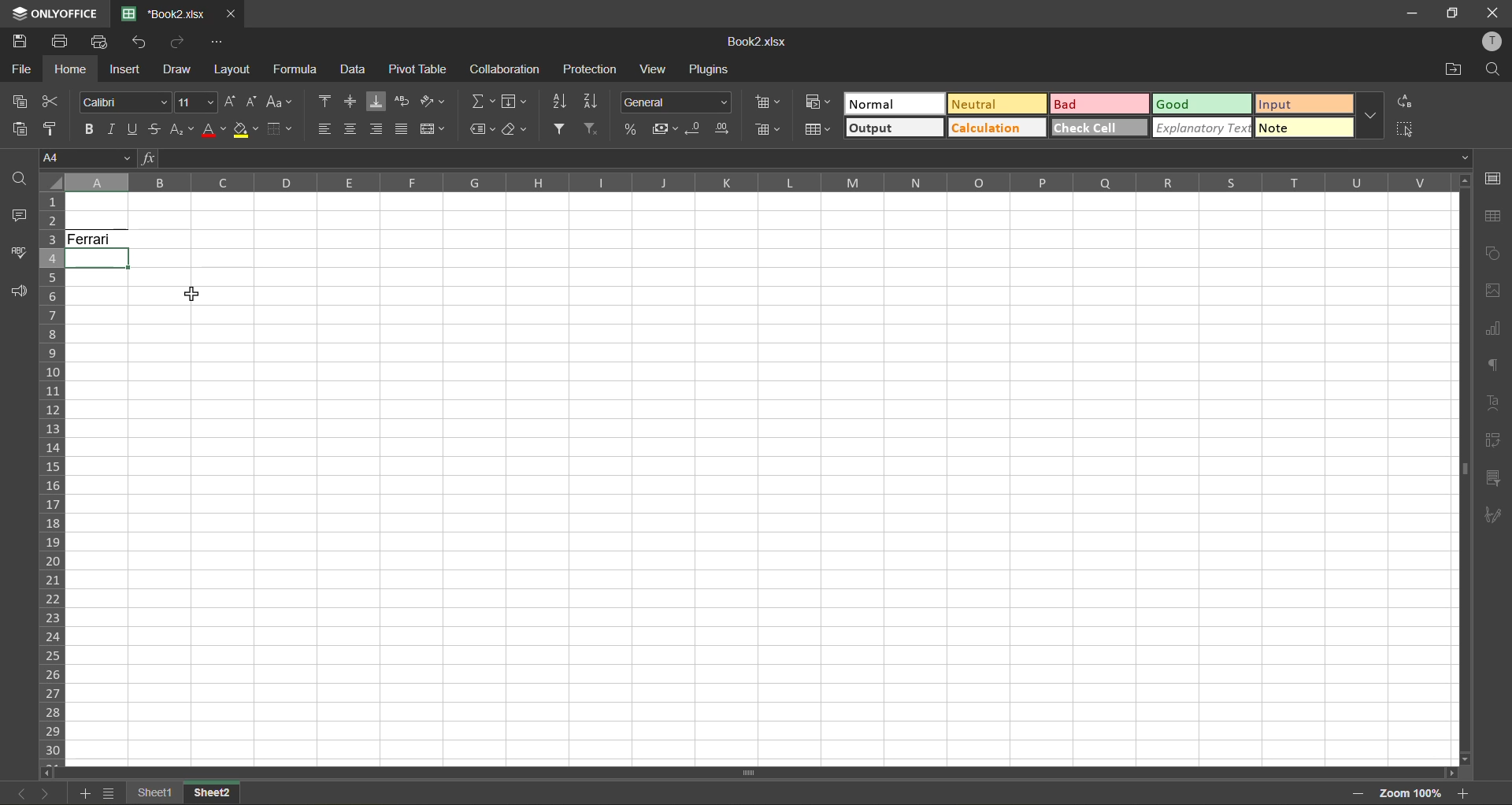 This screenshot has height=805, width=1512. I want to click on feedback, so click(20, 291).